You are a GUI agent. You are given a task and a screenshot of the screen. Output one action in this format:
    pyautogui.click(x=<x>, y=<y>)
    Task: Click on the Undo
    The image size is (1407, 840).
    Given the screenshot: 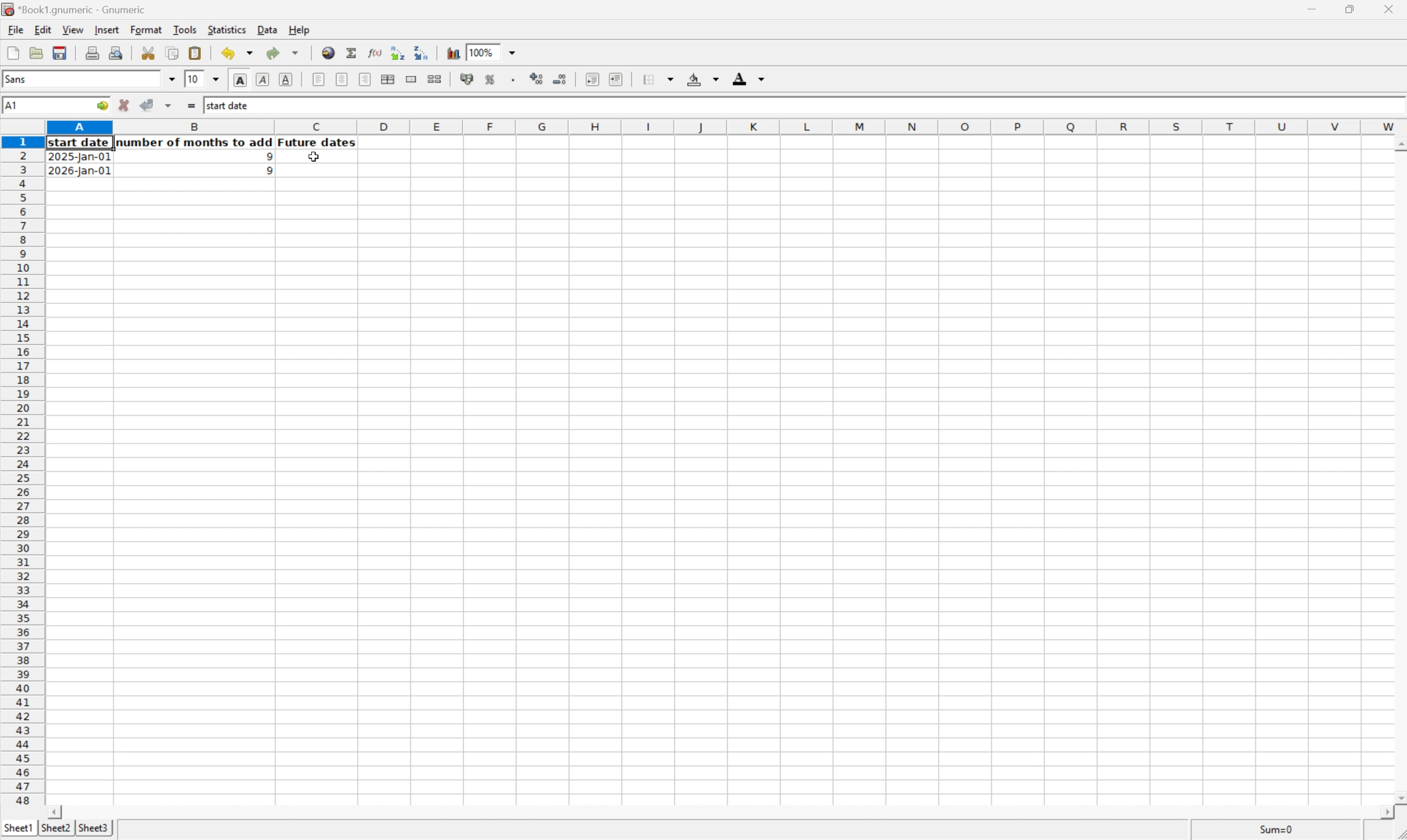 What is the action you would take?
    pyautogui.click(x=236, y=53)
    